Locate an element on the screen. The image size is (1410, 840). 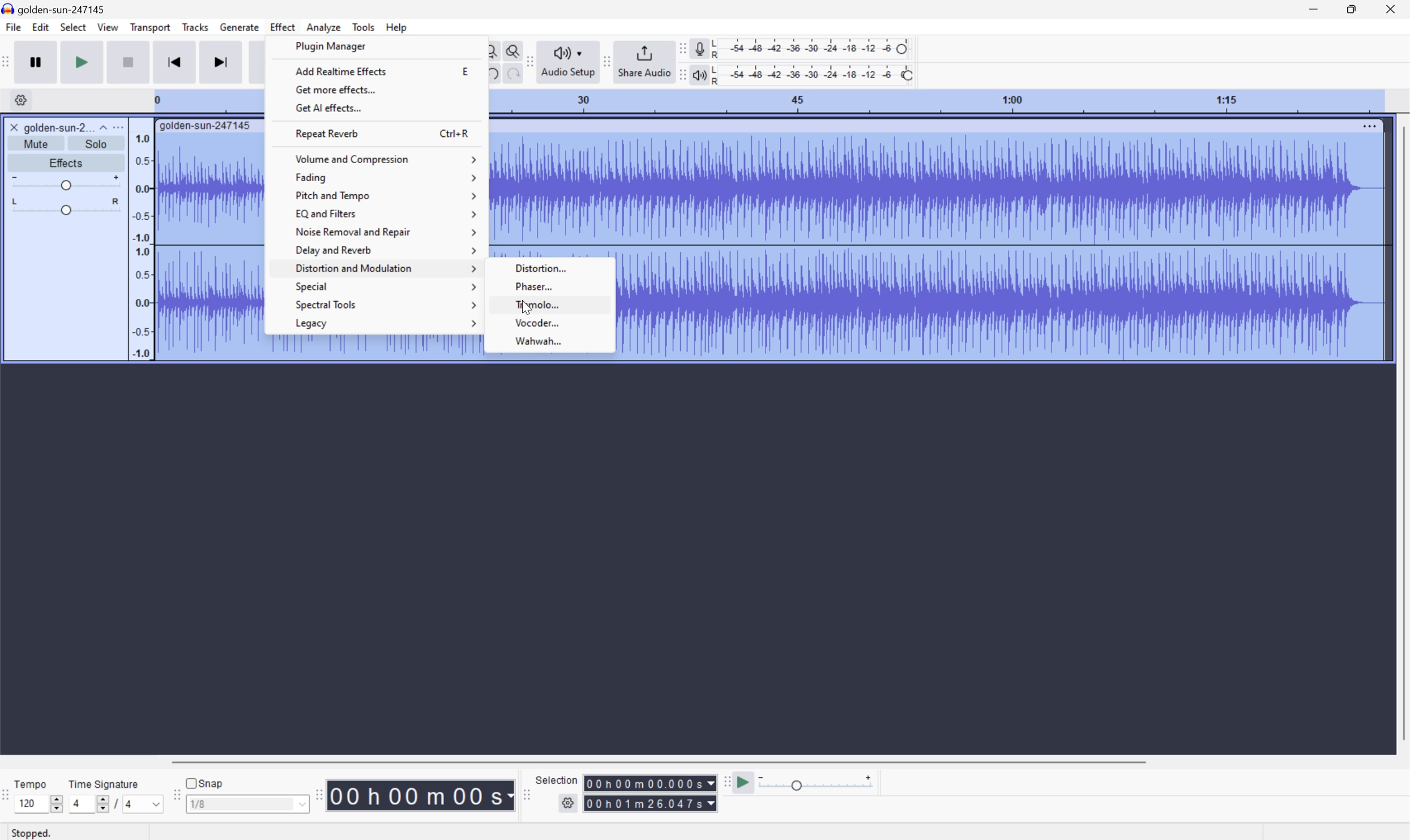
Frequencies is located at coordinates (141, 246).